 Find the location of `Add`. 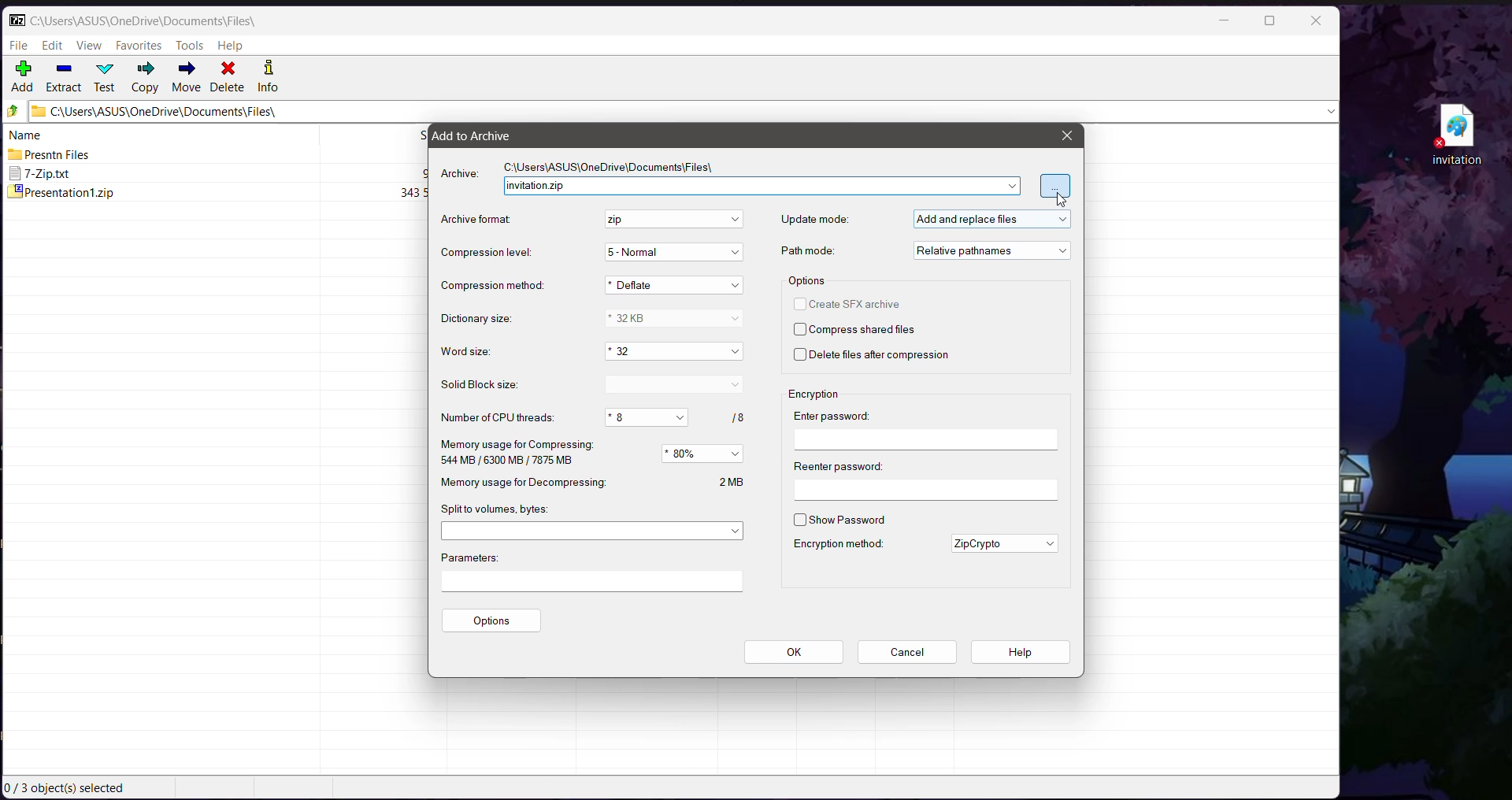

Add is located at coordinates (24, 78).